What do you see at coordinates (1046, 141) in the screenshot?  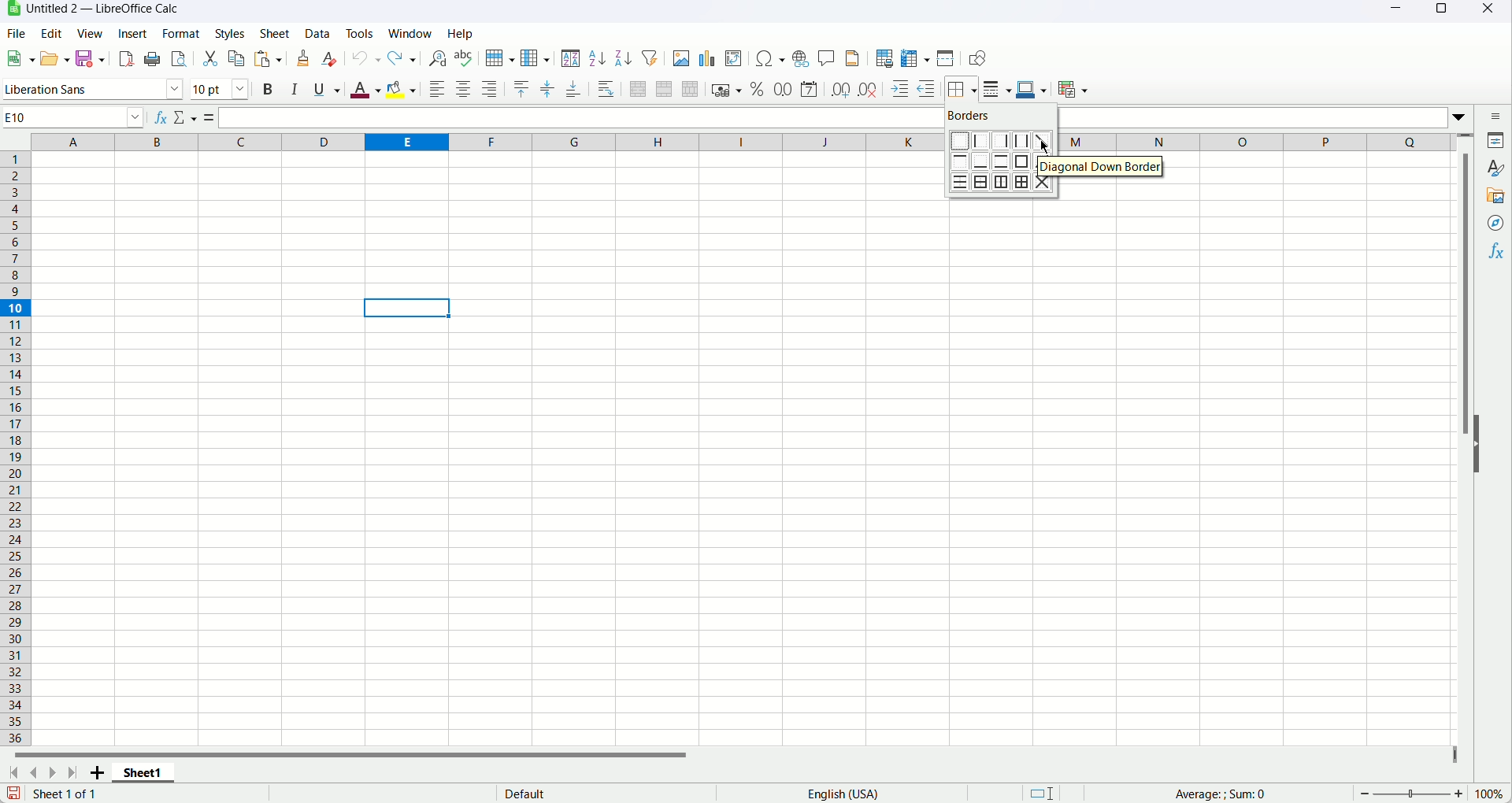 I see `Diagonal down border` at bounding box center [1046, 141].